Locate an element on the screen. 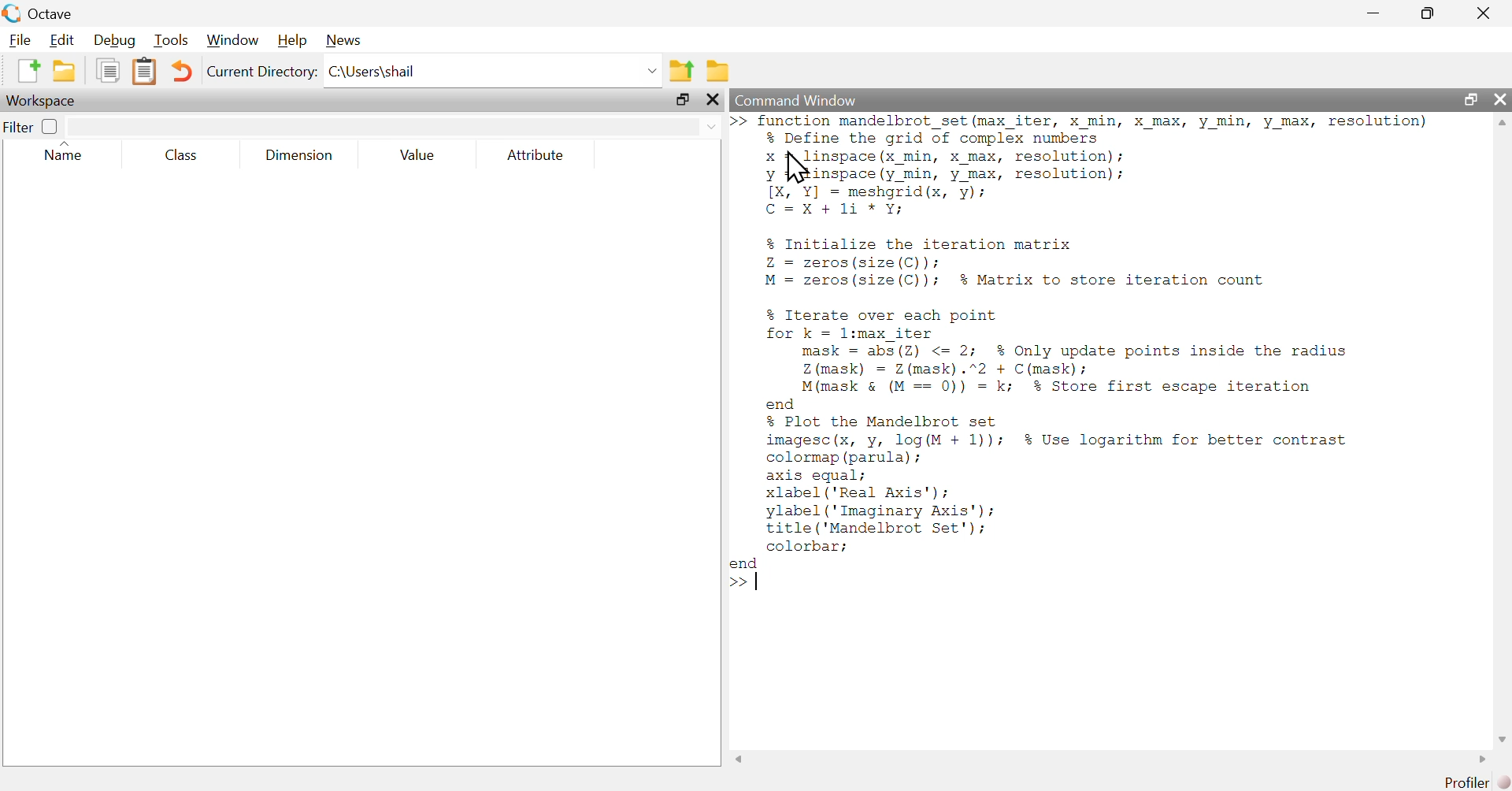  Filter is located at coordinates (32, 126).